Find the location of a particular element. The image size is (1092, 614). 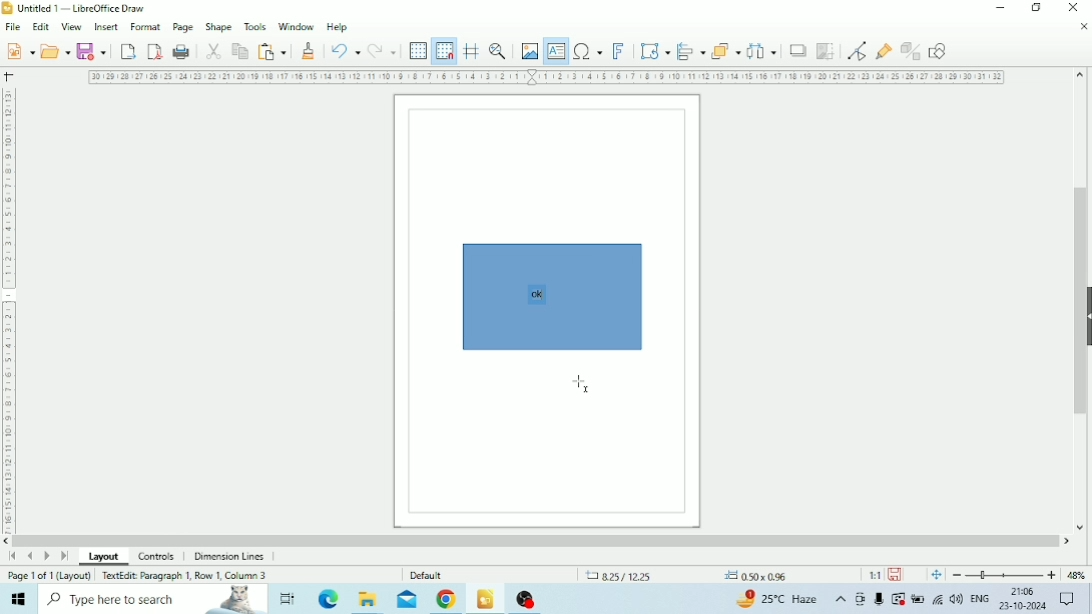

Snap to Grid is located at coordinates (445, 52).